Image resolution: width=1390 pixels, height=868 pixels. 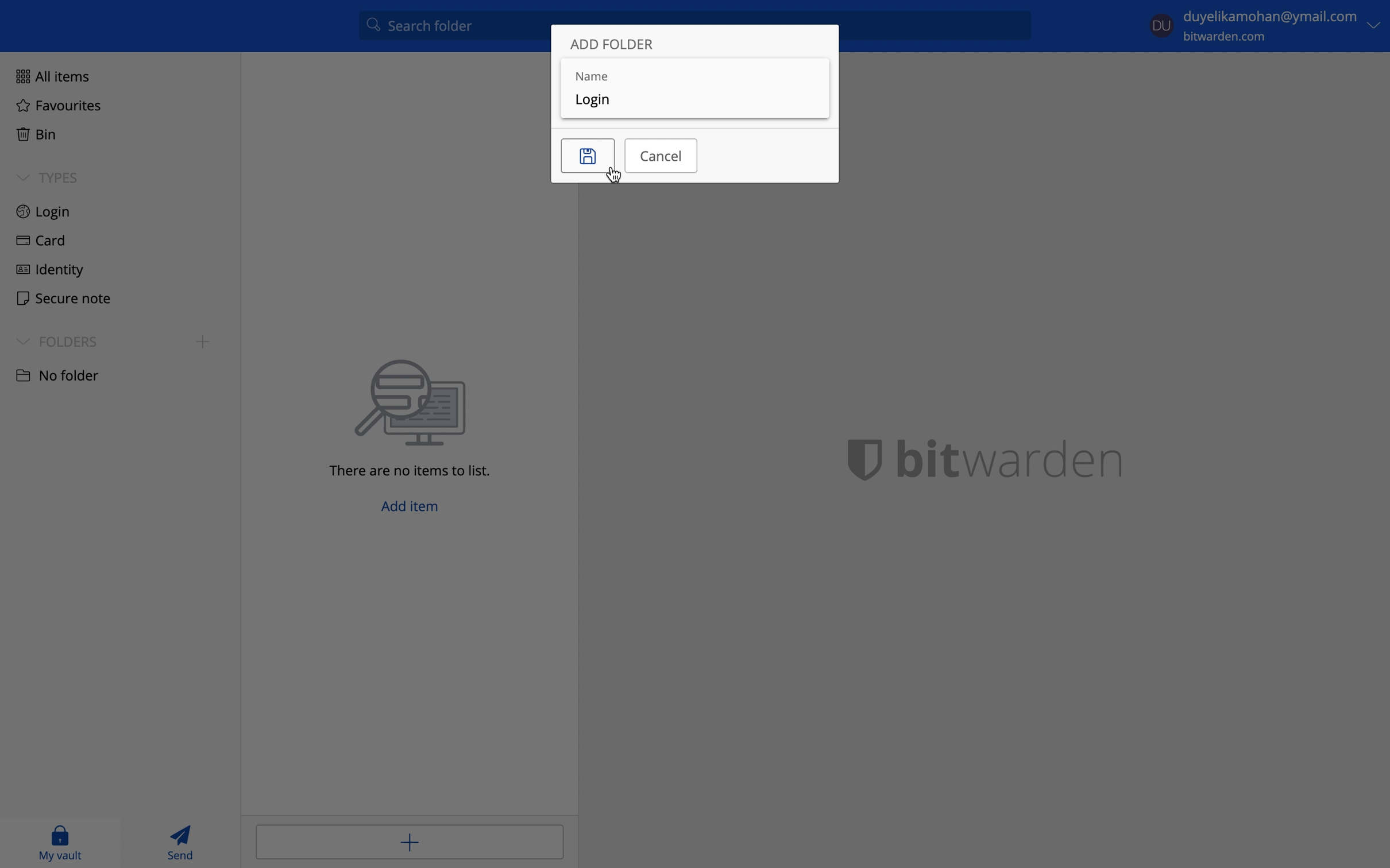 I want to click on login email id, so click(x=1271, y=17).